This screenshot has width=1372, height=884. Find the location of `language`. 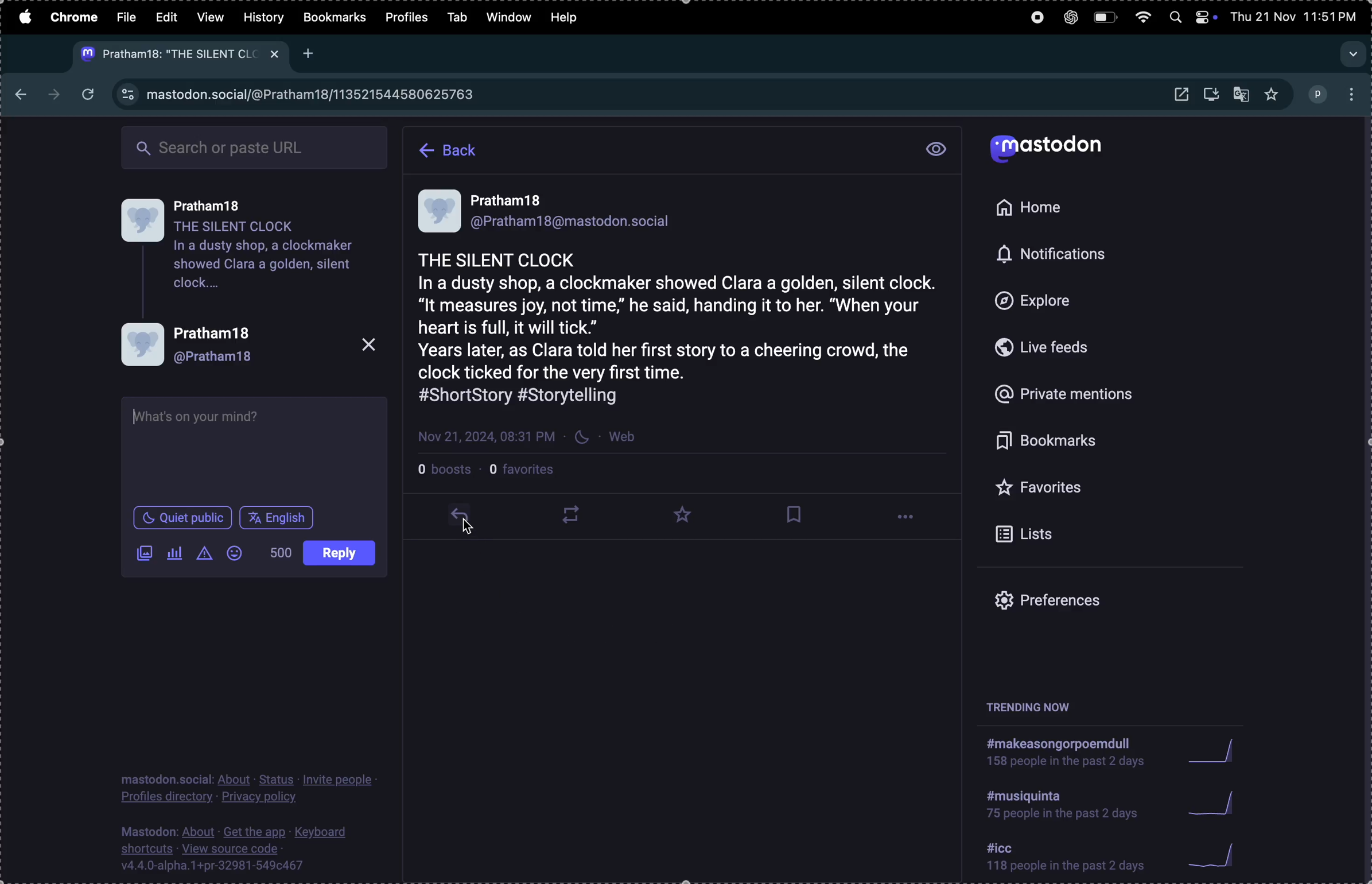

language is located at coordinates (344, 554).